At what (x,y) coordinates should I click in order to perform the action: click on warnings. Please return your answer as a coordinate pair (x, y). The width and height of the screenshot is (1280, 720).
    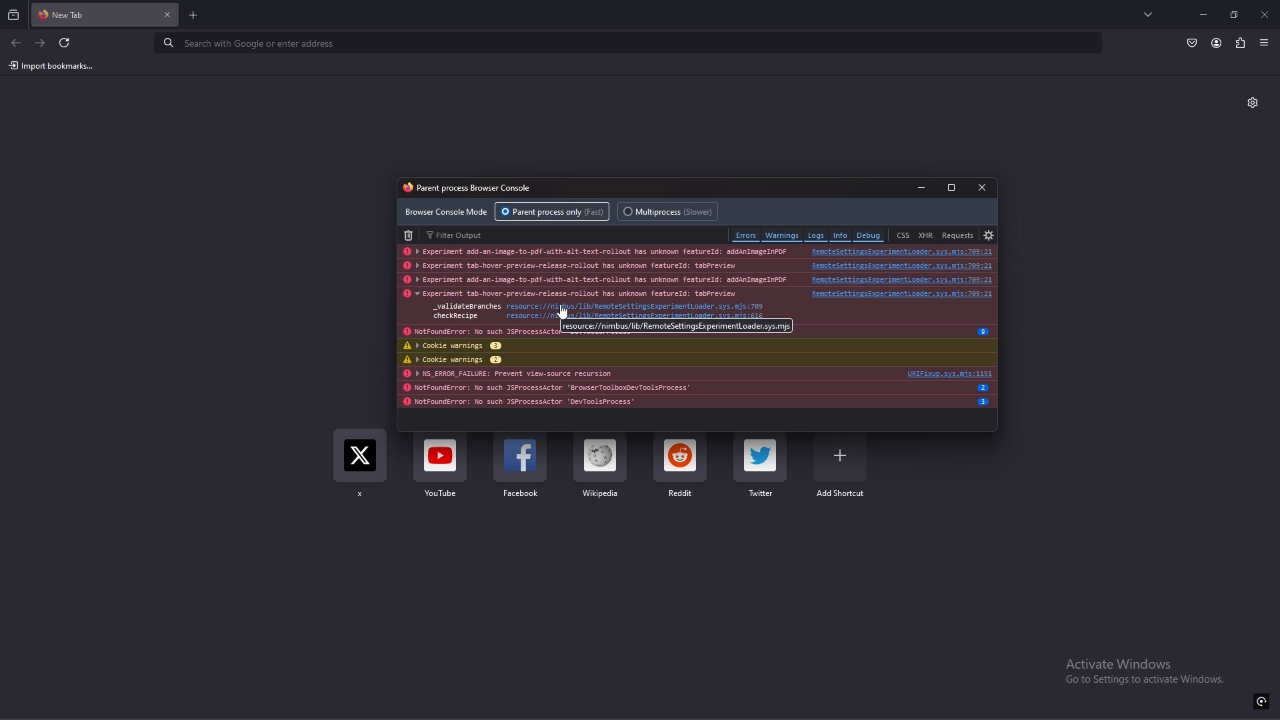
    Looking at the image, I should click on (783, 235).